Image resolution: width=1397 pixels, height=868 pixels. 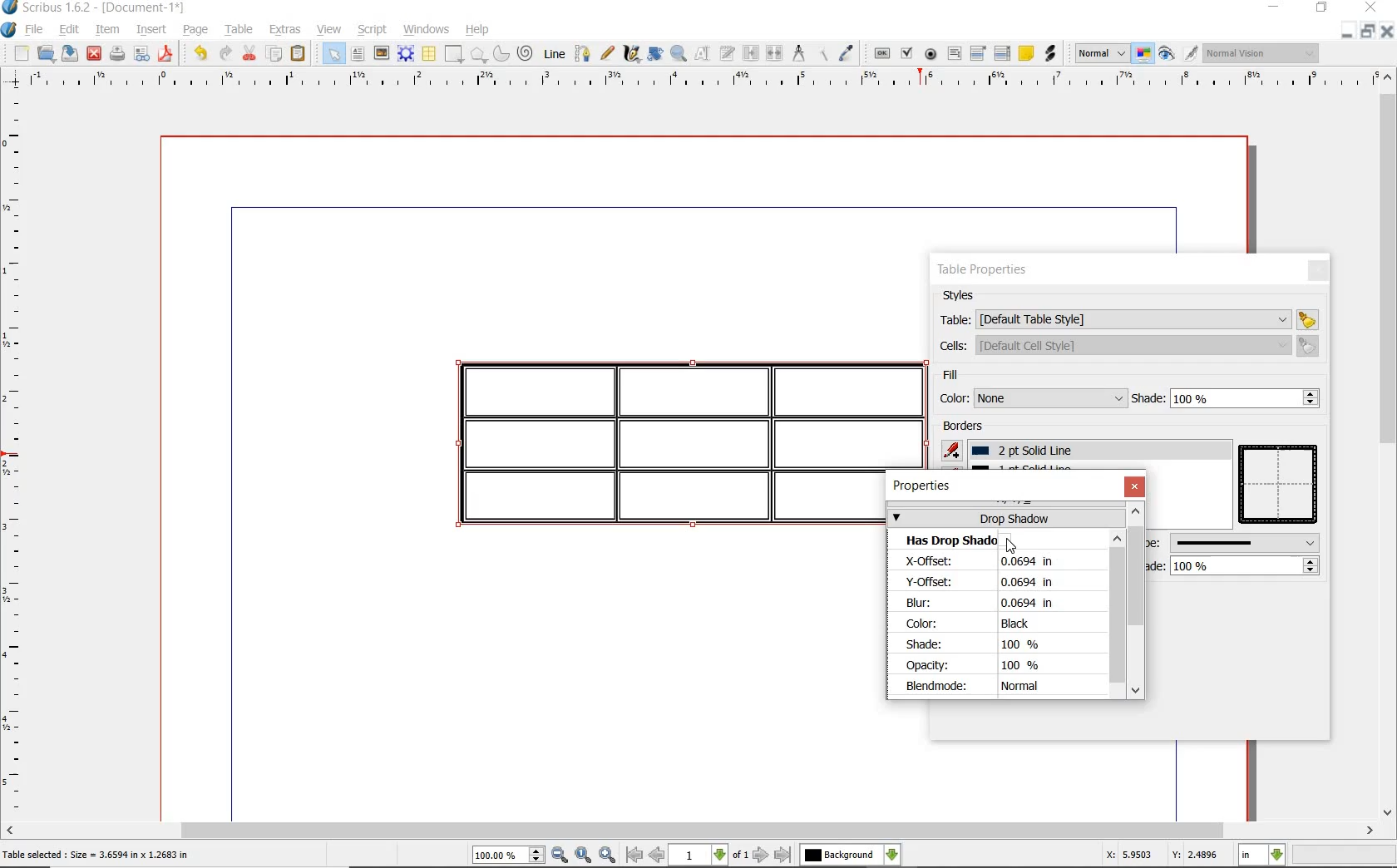 I want to click on properties, so click(x=926, y=486).